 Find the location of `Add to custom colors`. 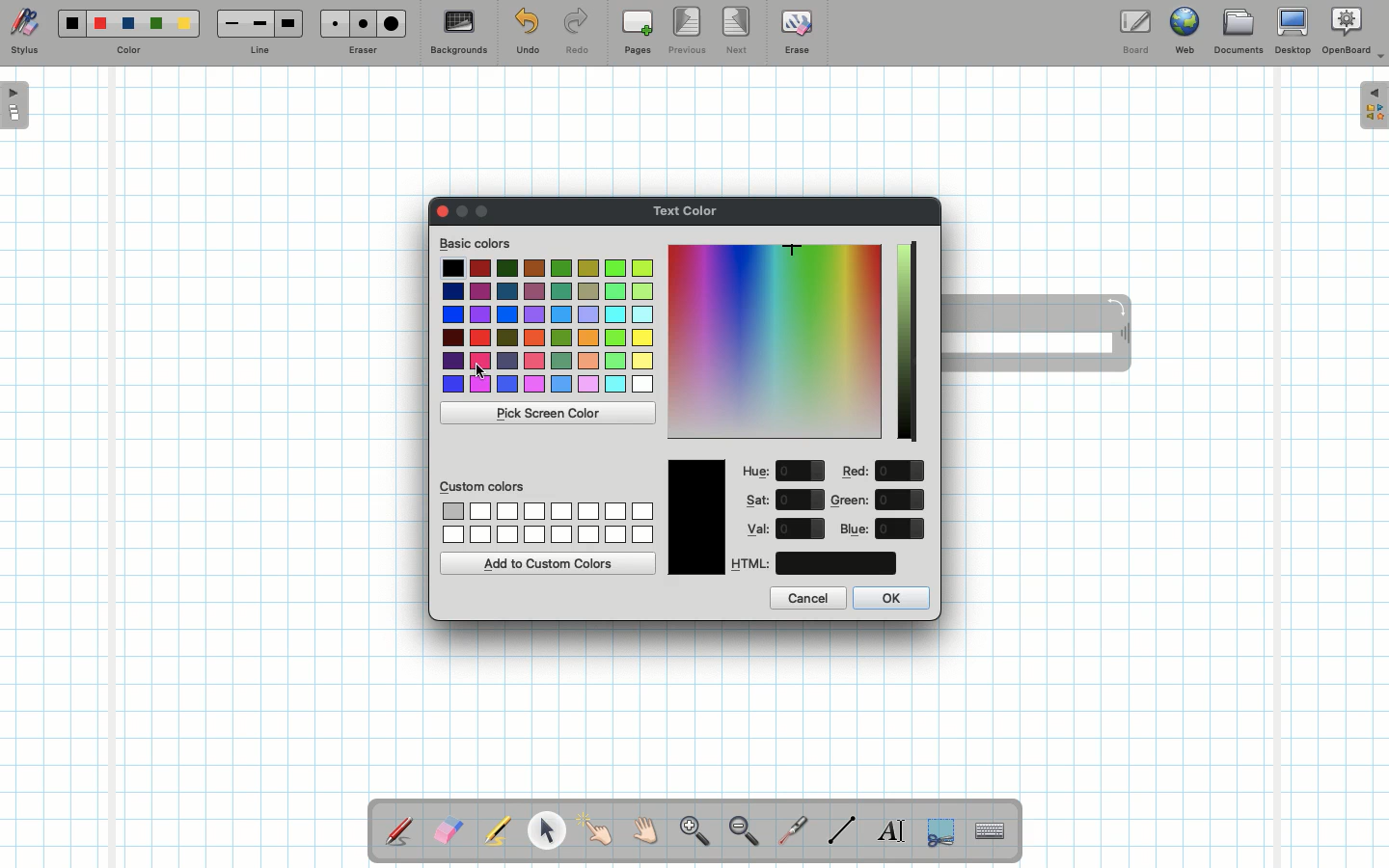

Add to custom colors is located at coordinates (549, 563).